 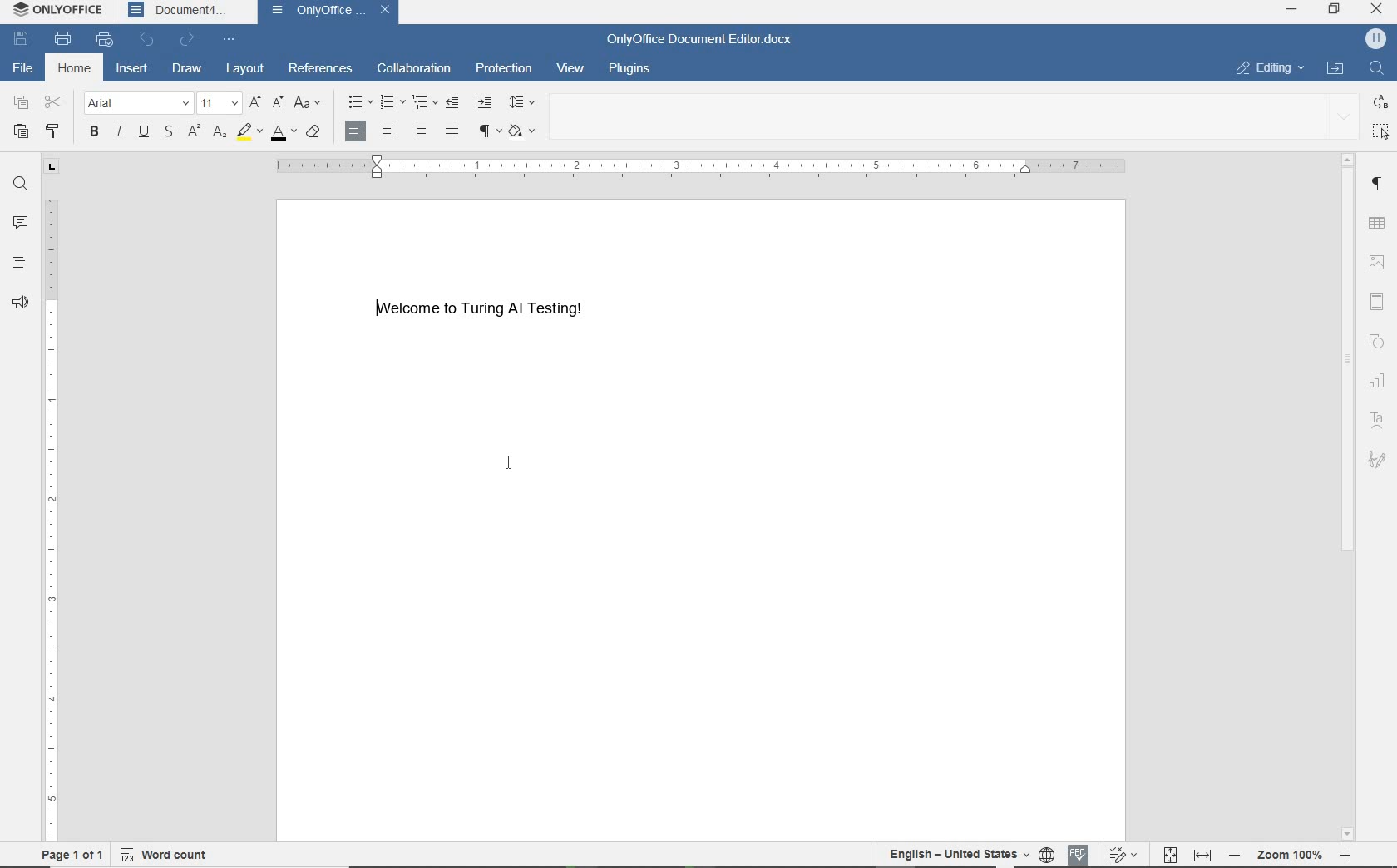 I want to click on search, so click(x=20, y=186).